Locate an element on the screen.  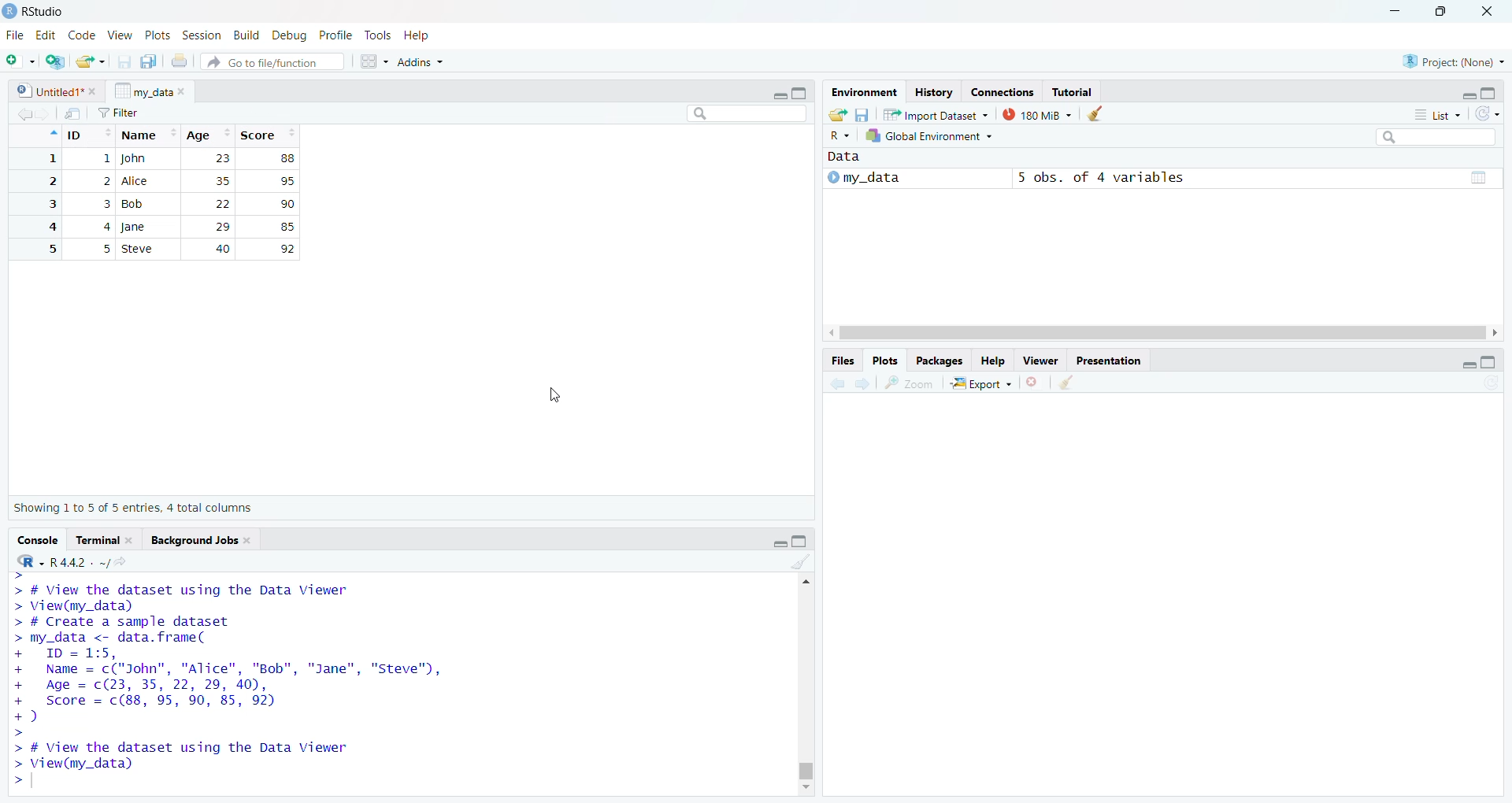
Pages is located at coordinates (296, 113).